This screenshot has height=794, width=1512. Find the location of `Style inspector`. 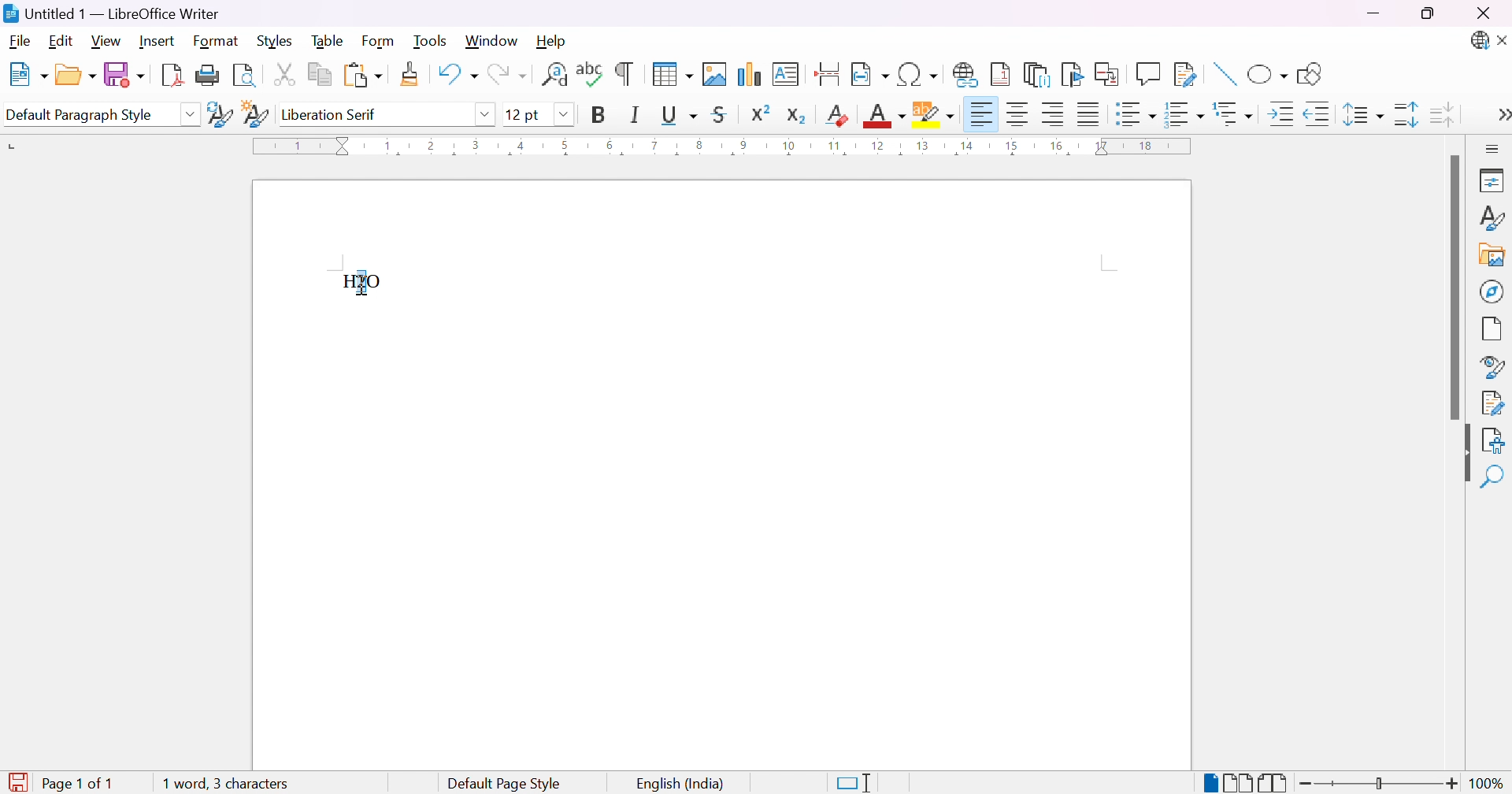

Style inspector is located at coordinates (1492, 368).